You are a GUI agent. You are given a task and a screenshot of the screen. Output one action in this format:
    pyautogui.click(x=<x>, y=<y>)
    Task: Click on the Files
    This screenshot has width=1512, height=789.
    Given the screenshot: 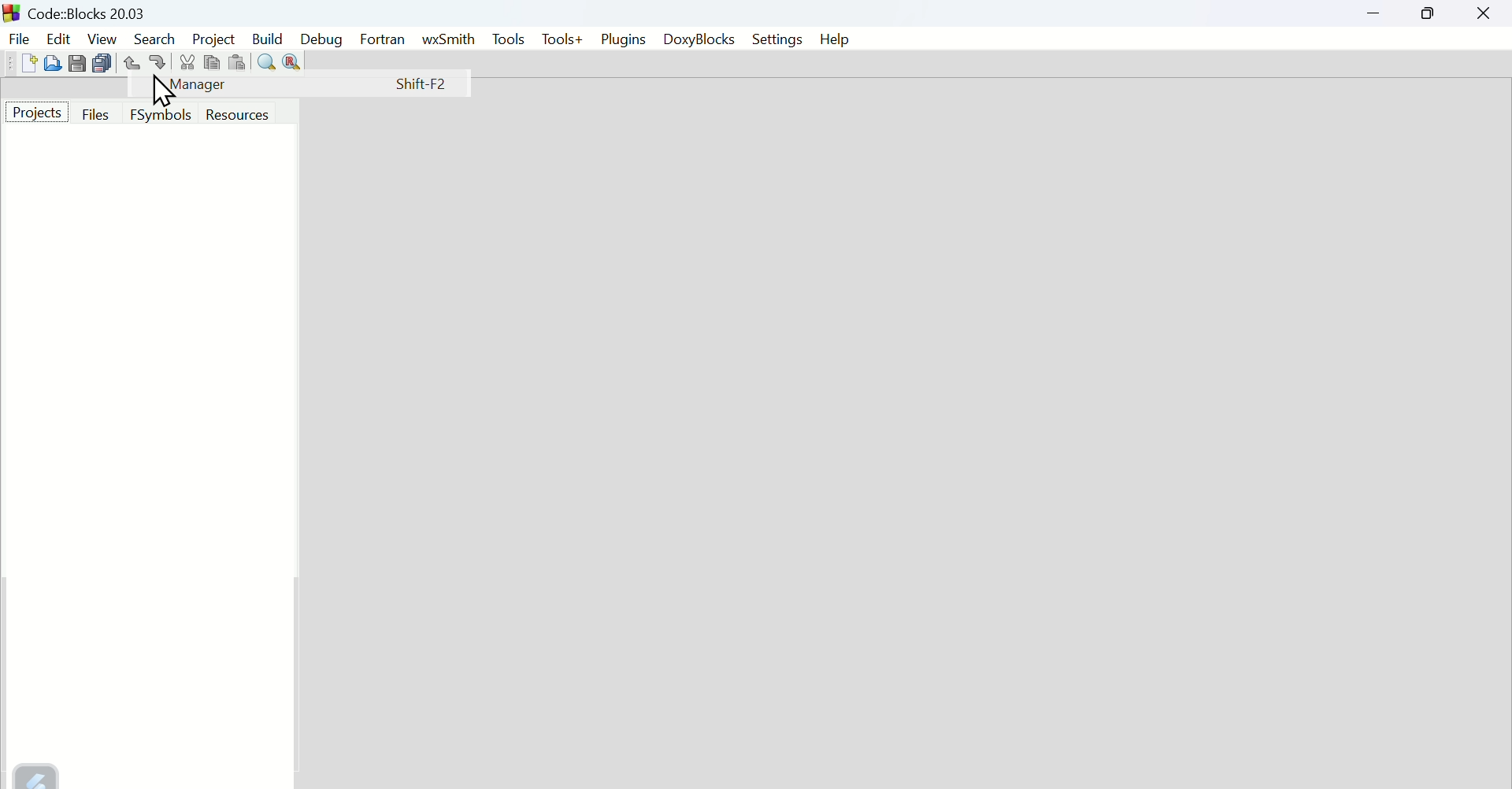 What is the action you would take?
    pyautogui.click(x=98, y=114)
    